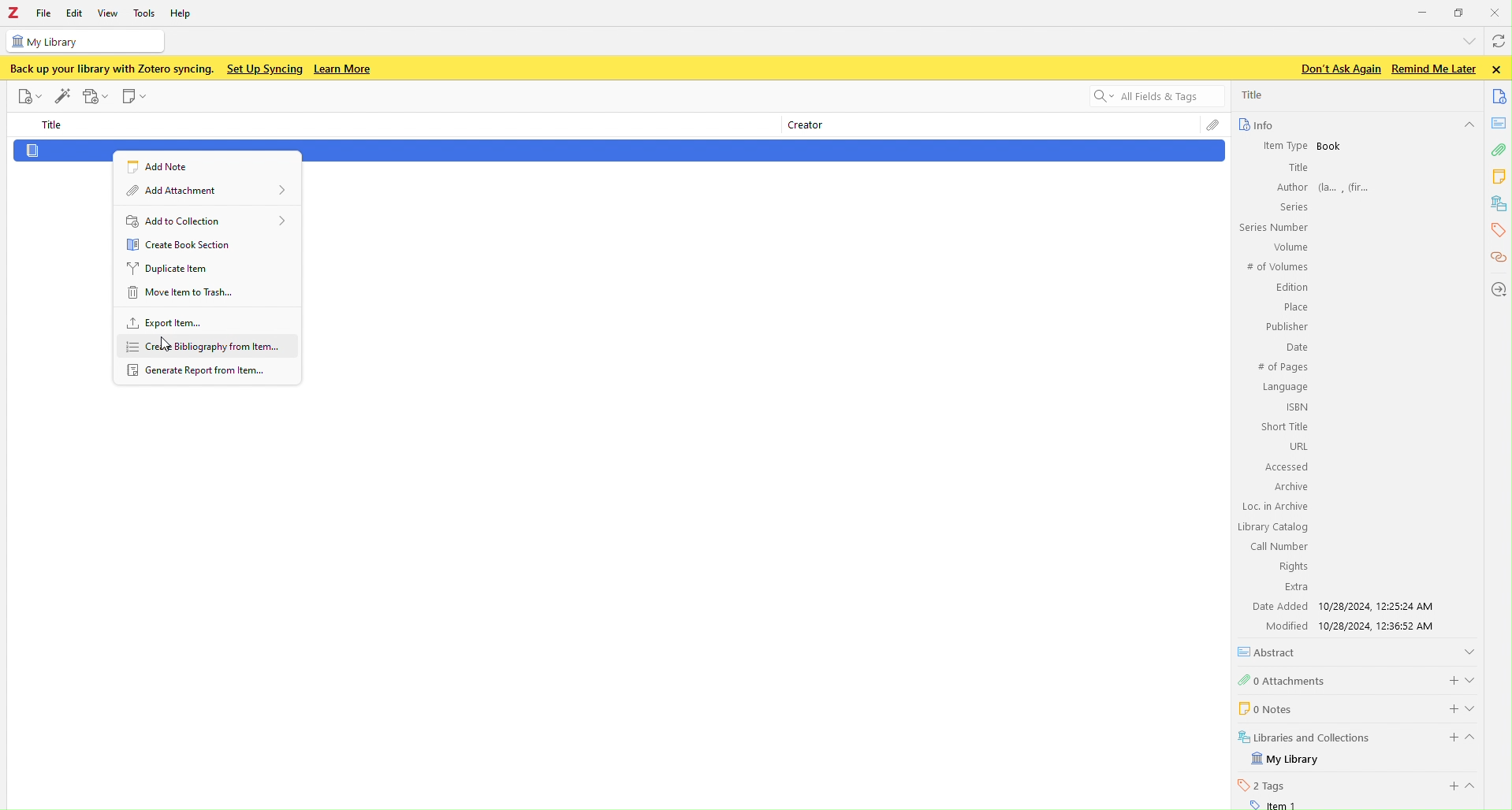 The height and width of the screenshot is (810, 1512). What do you see at coordinates (1288, 247) in the screenshot?
I see `‘Volume` at bounding box center [1288, 247].